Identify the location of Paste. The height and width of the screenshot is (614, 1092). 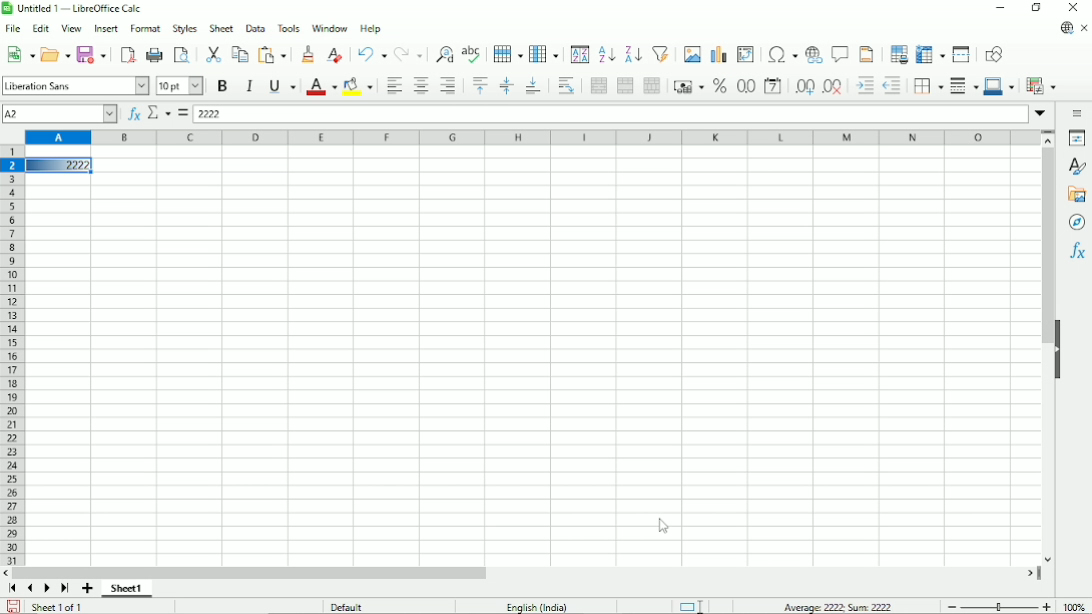
(274, 54).